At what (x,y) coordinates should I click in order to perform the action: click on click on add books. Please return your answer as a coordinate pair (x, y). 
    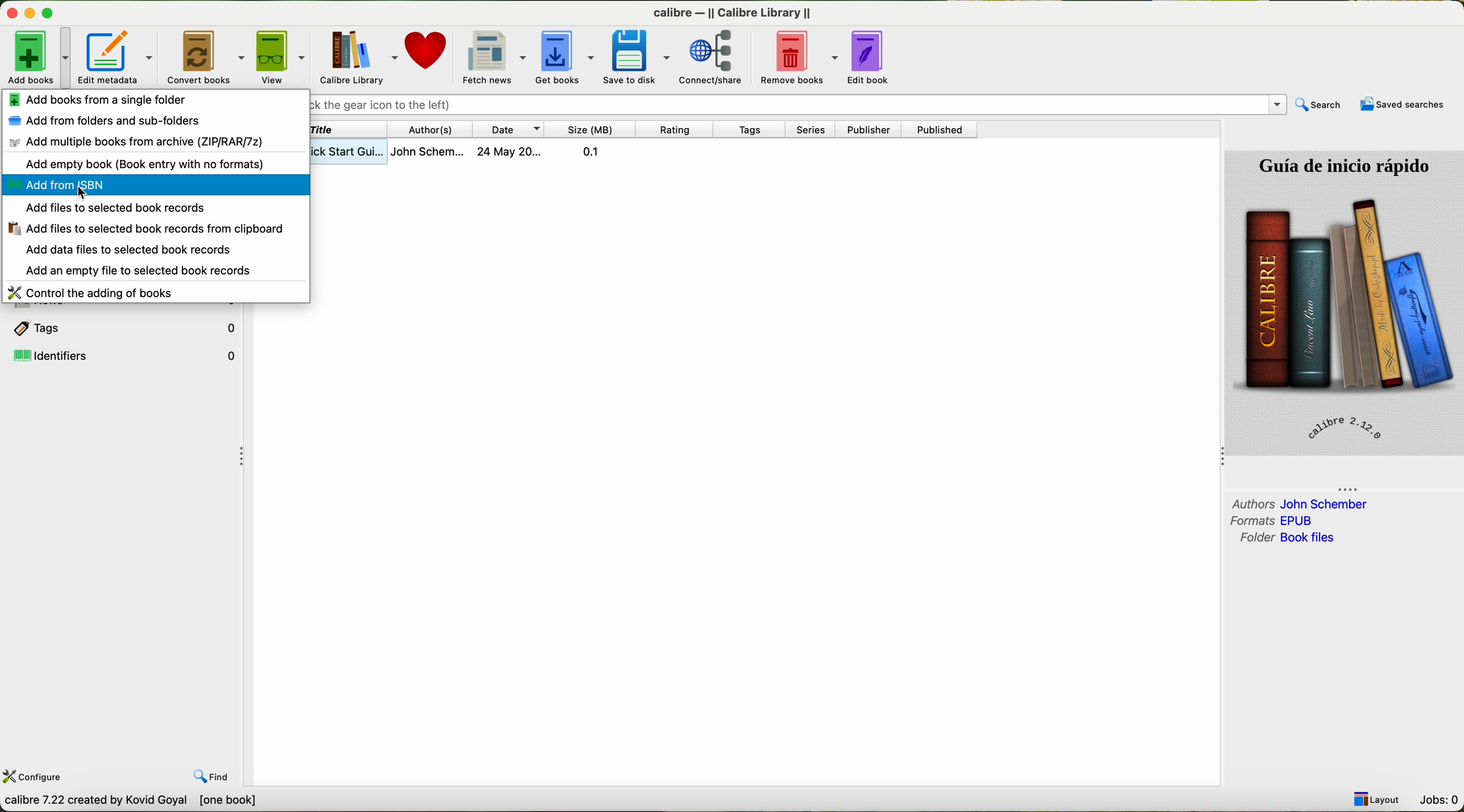
    Looking at the image, I should click on (38, 56).